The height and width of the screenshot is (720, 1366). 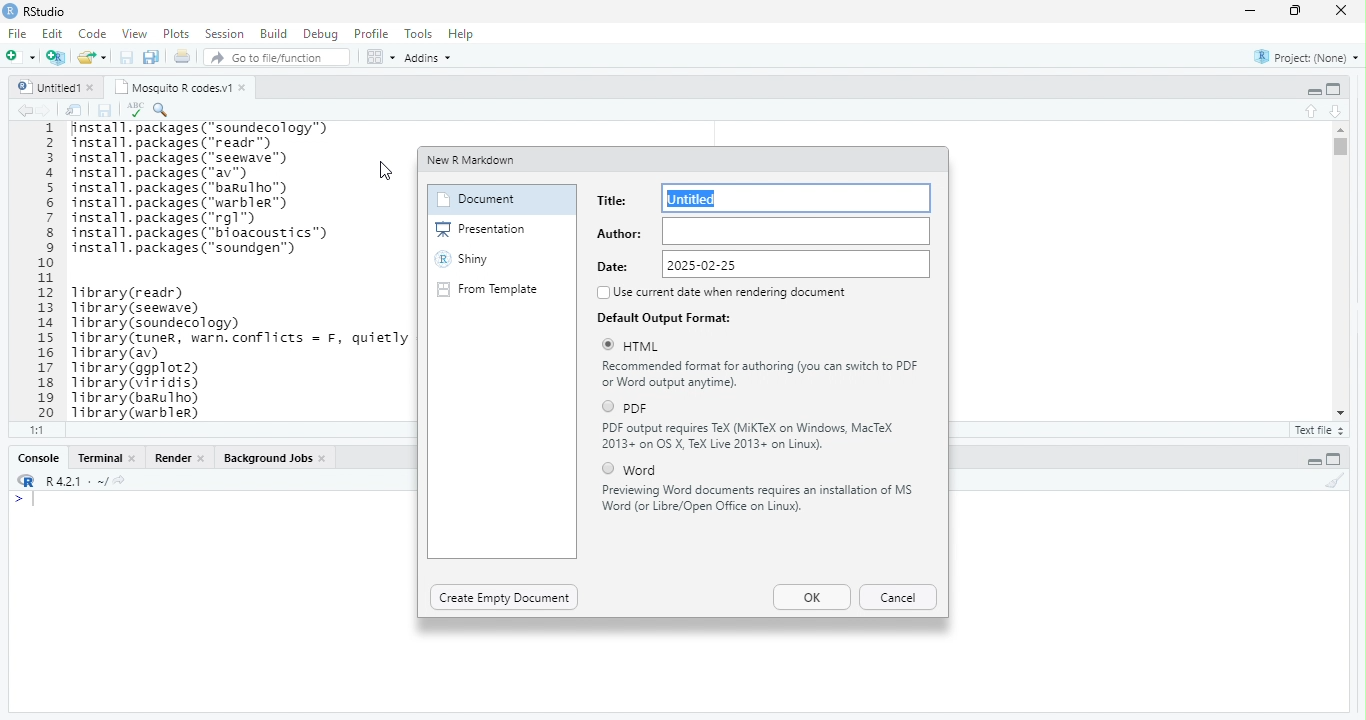 I want to click on Addins, so click(x=429, y=59).